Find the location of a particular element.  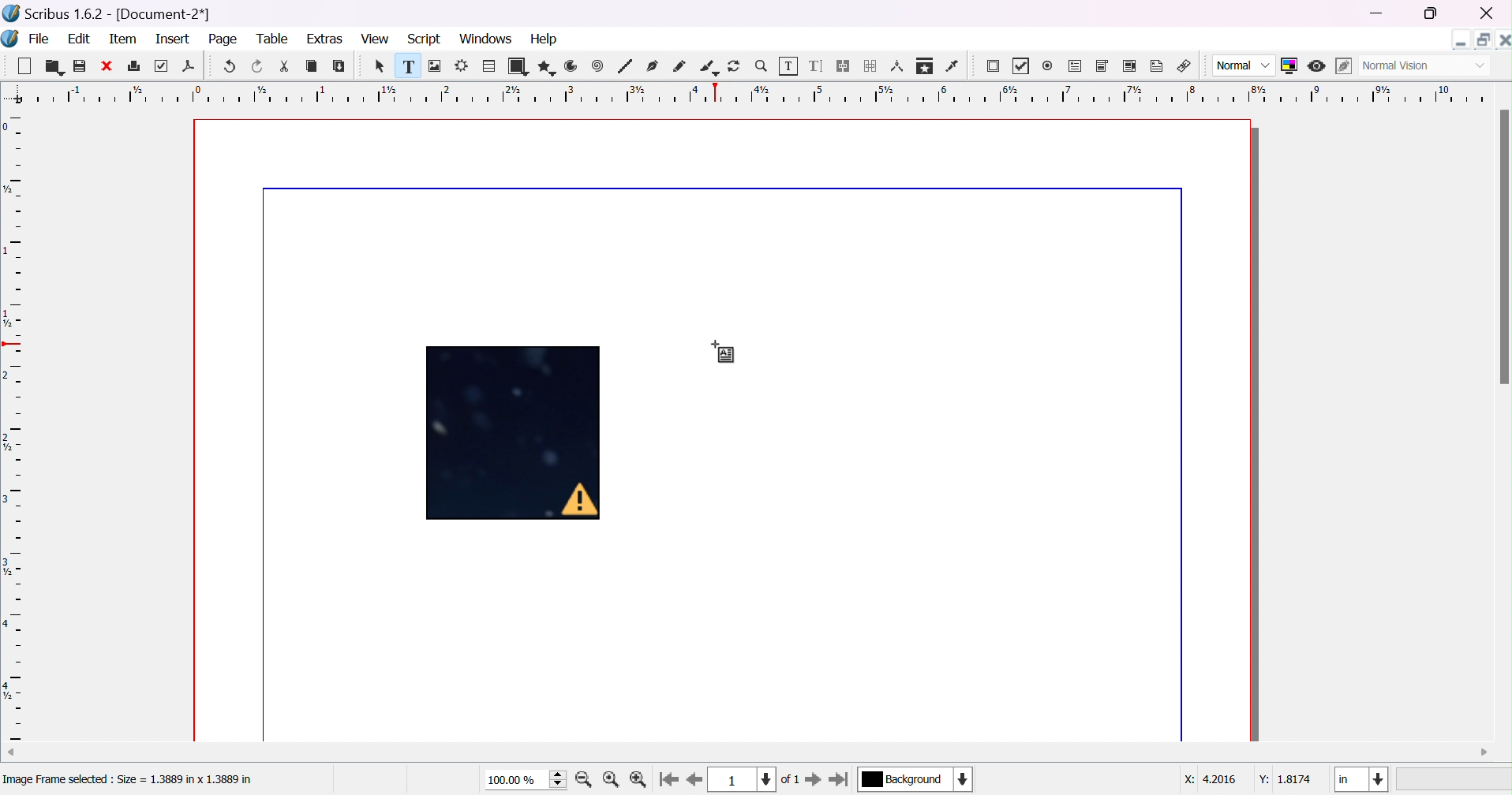

extras is located at coordinates (325, 39).